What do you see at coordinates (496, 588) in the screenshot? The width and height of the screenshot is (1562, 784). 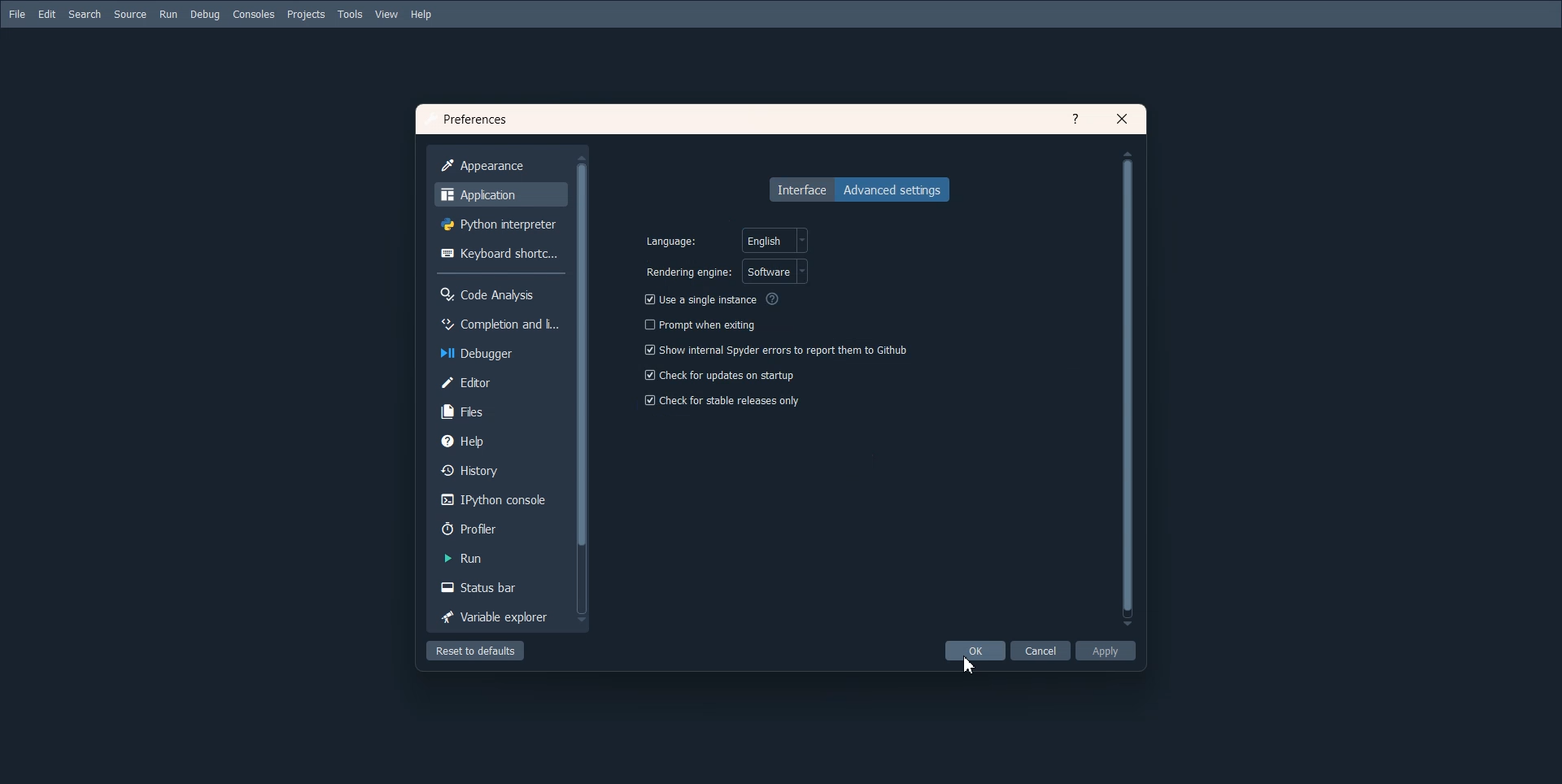 I see `Status bar` at bounding box center [496, 588].